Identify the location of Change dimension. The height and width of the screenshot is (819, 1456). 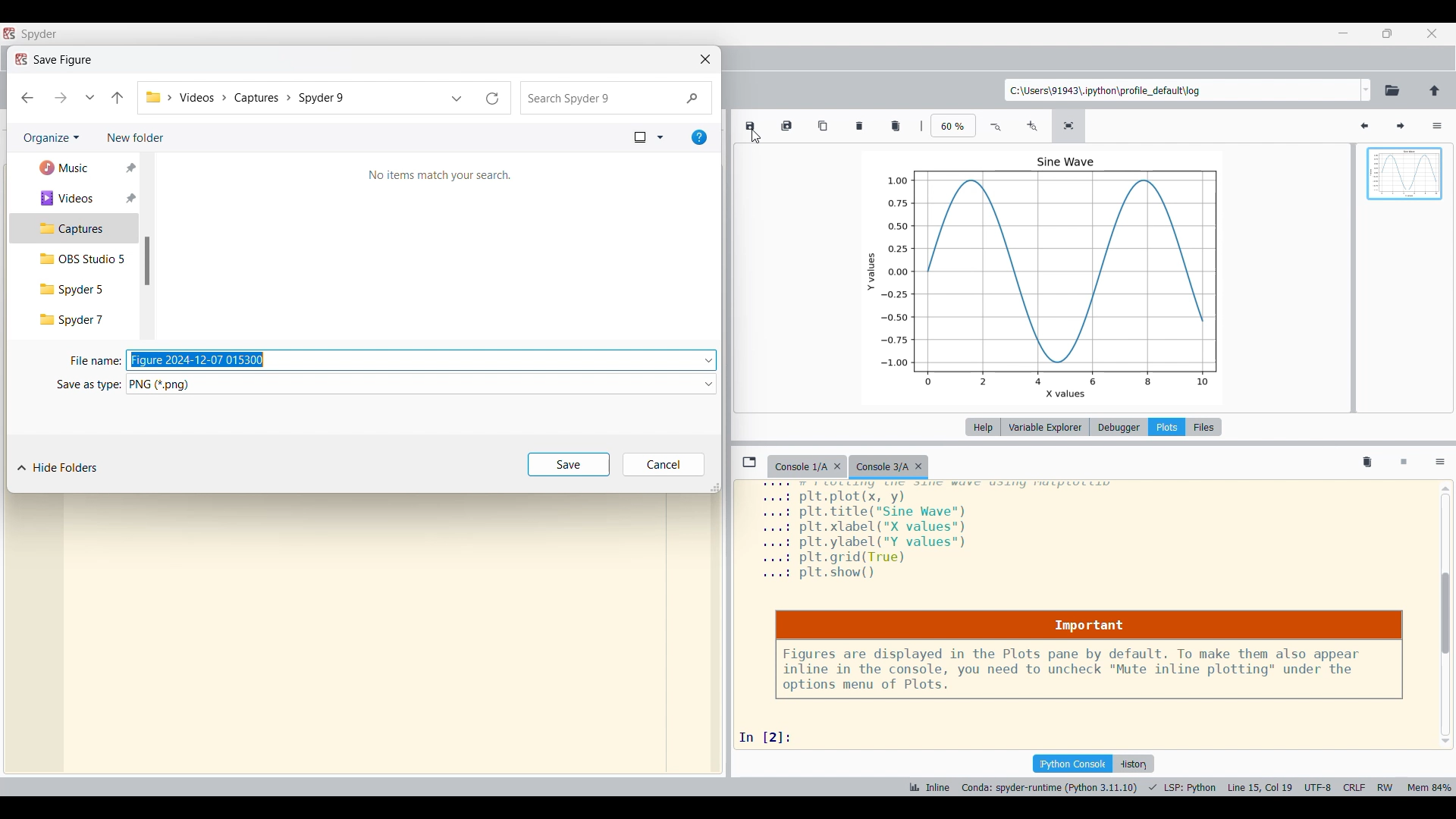
(714, 488).